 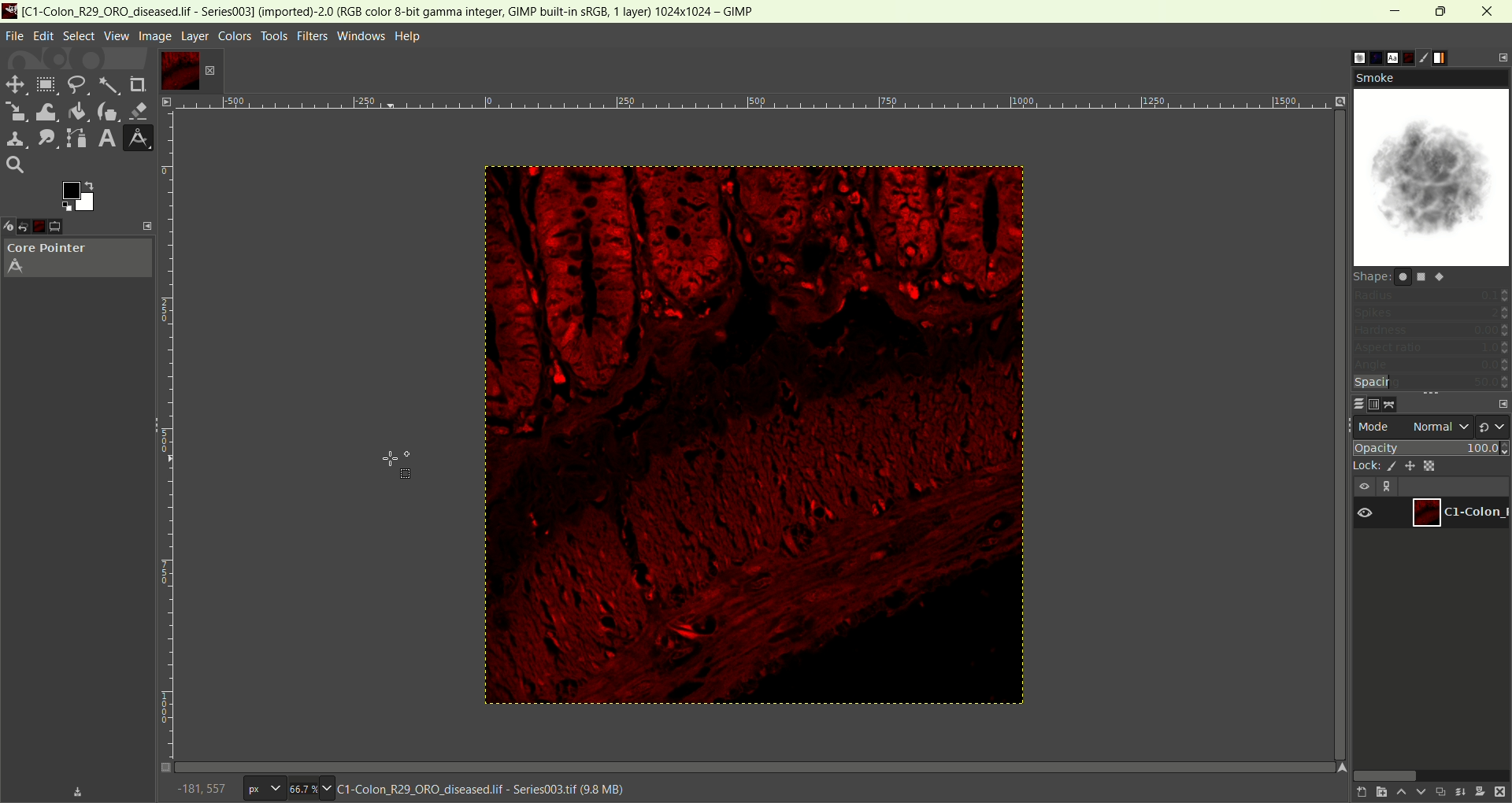 What do you see at coordinates (1376, 427) in the screenshot?
I see `mode` at bounding box center [1376, 427].